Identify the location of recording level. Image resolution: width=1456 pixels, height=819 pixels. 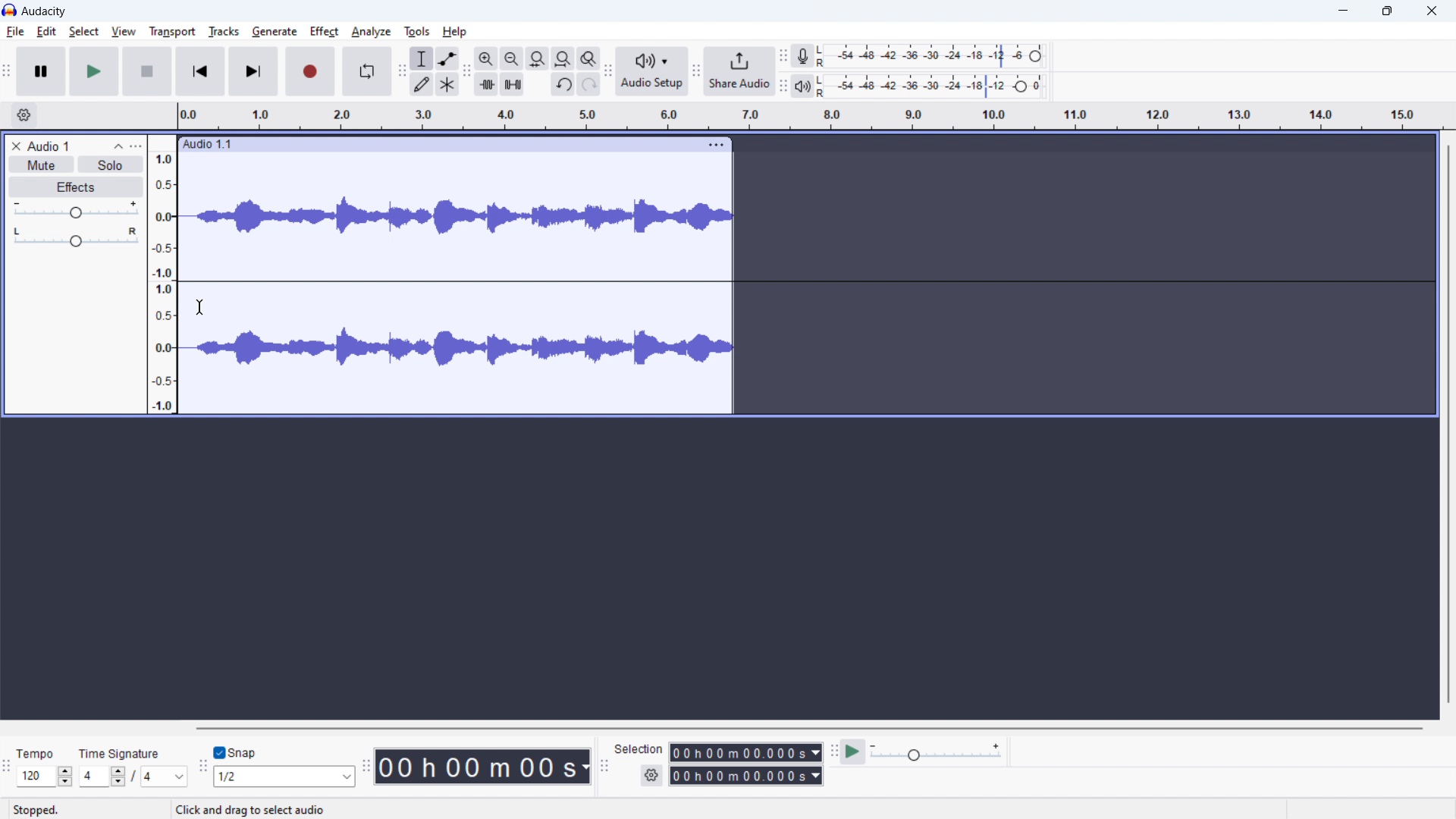
(935, 56).